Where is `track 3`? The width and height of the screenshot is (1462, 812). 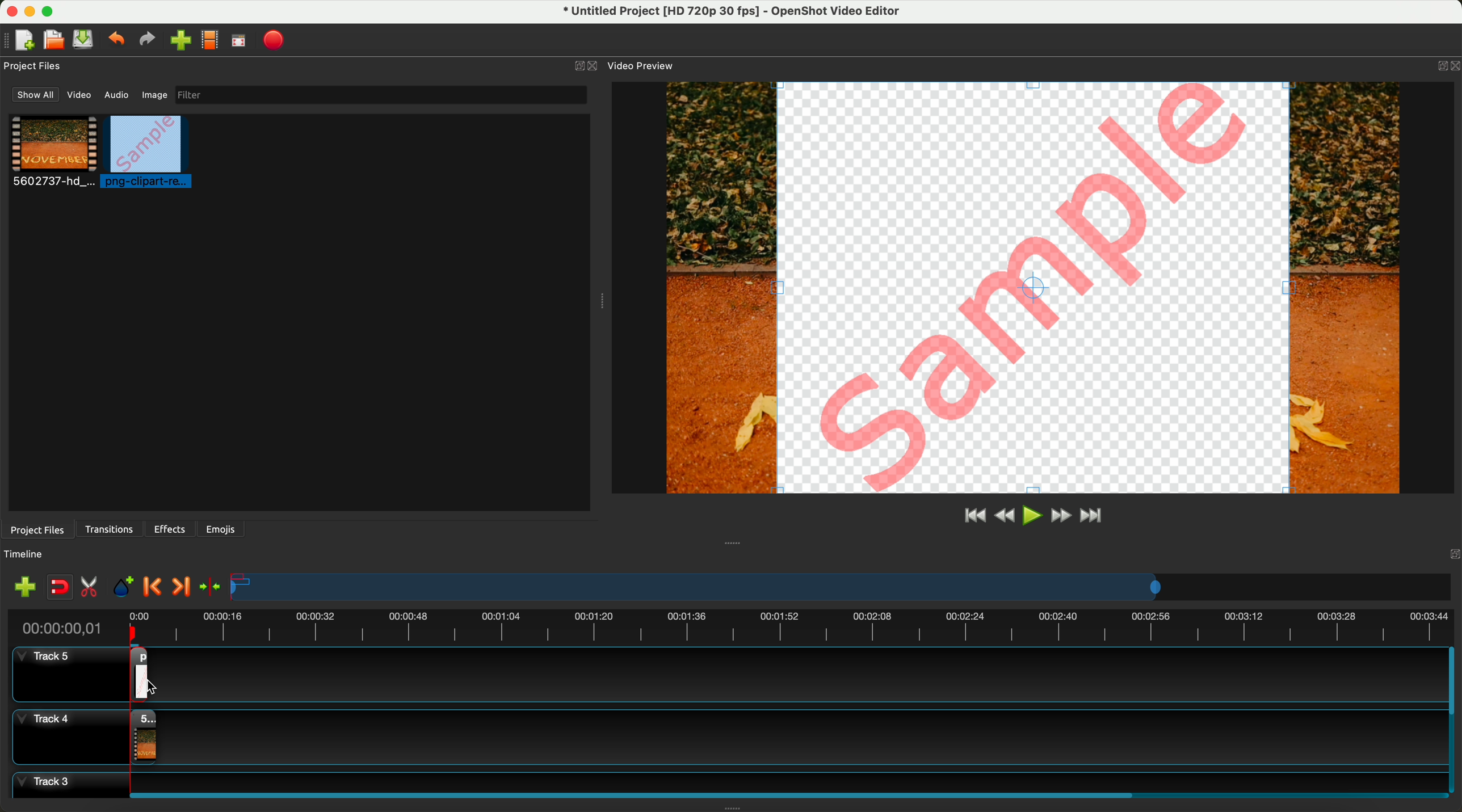 track 3 is located at coordinates (724, 780).